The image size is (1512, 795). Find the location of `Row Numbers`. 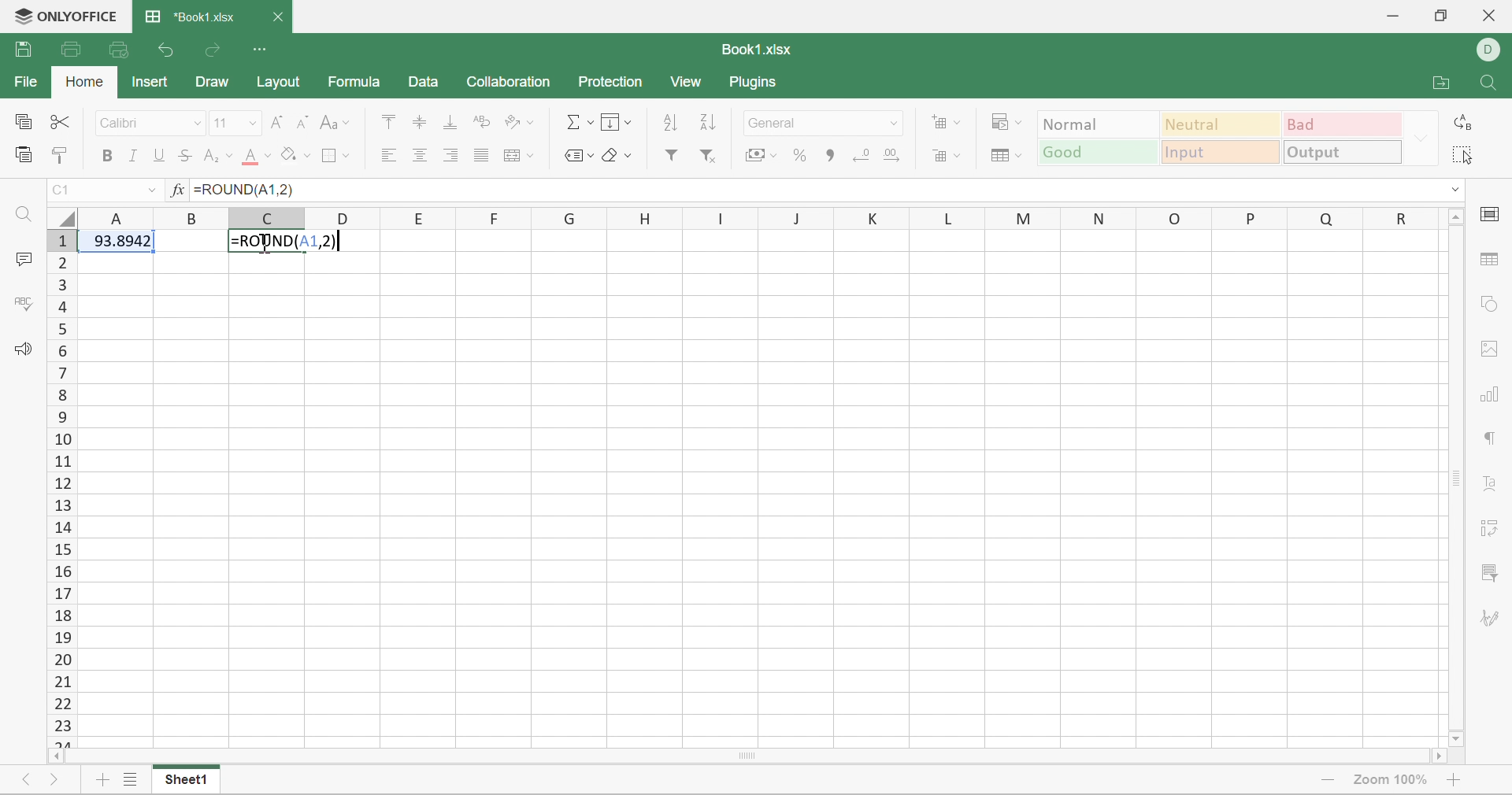

Row Numbers is located at coordinates (62, 487).